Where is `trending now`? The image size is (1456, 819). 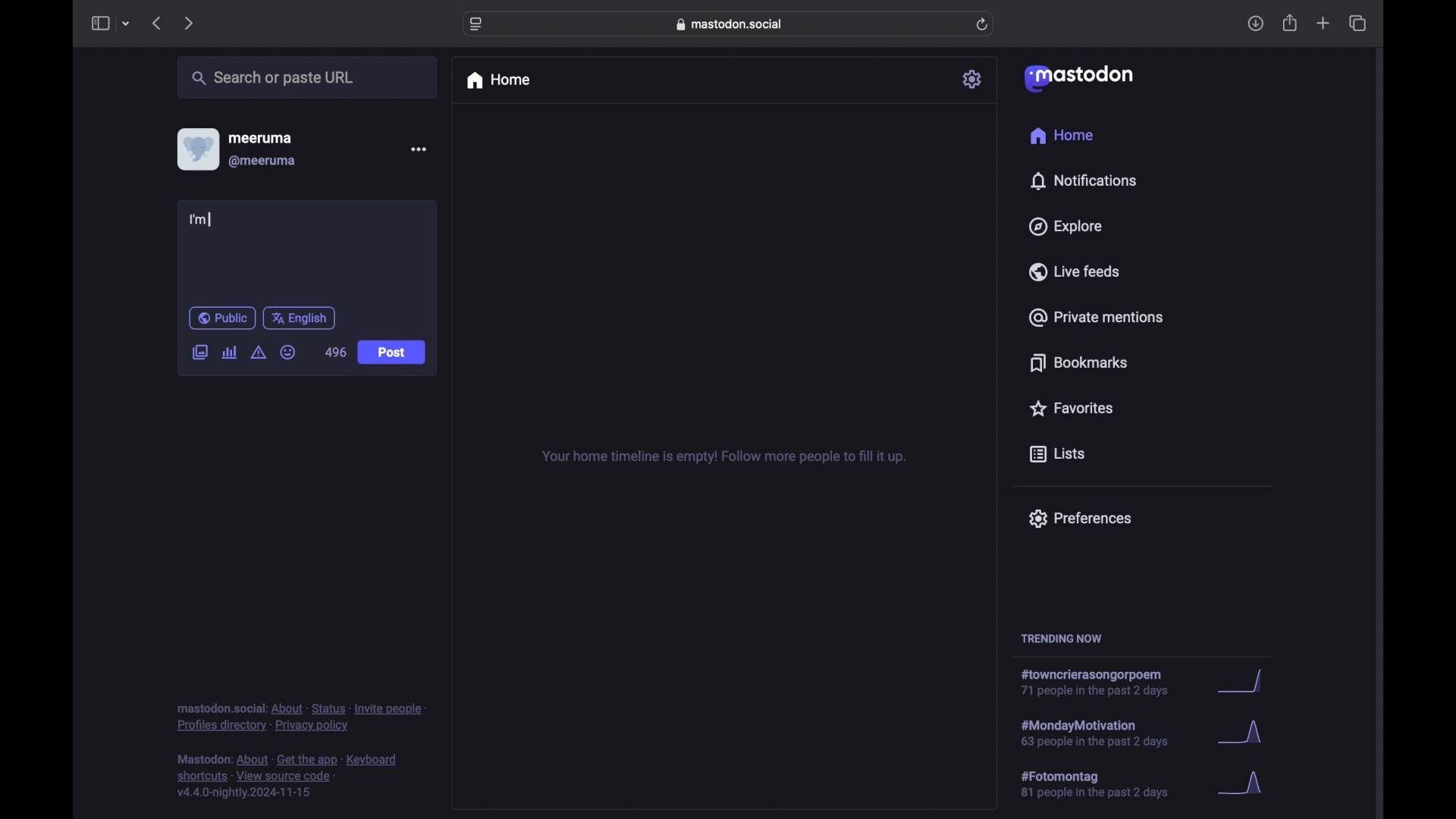
trending now is located at coordinates (1061, 639).